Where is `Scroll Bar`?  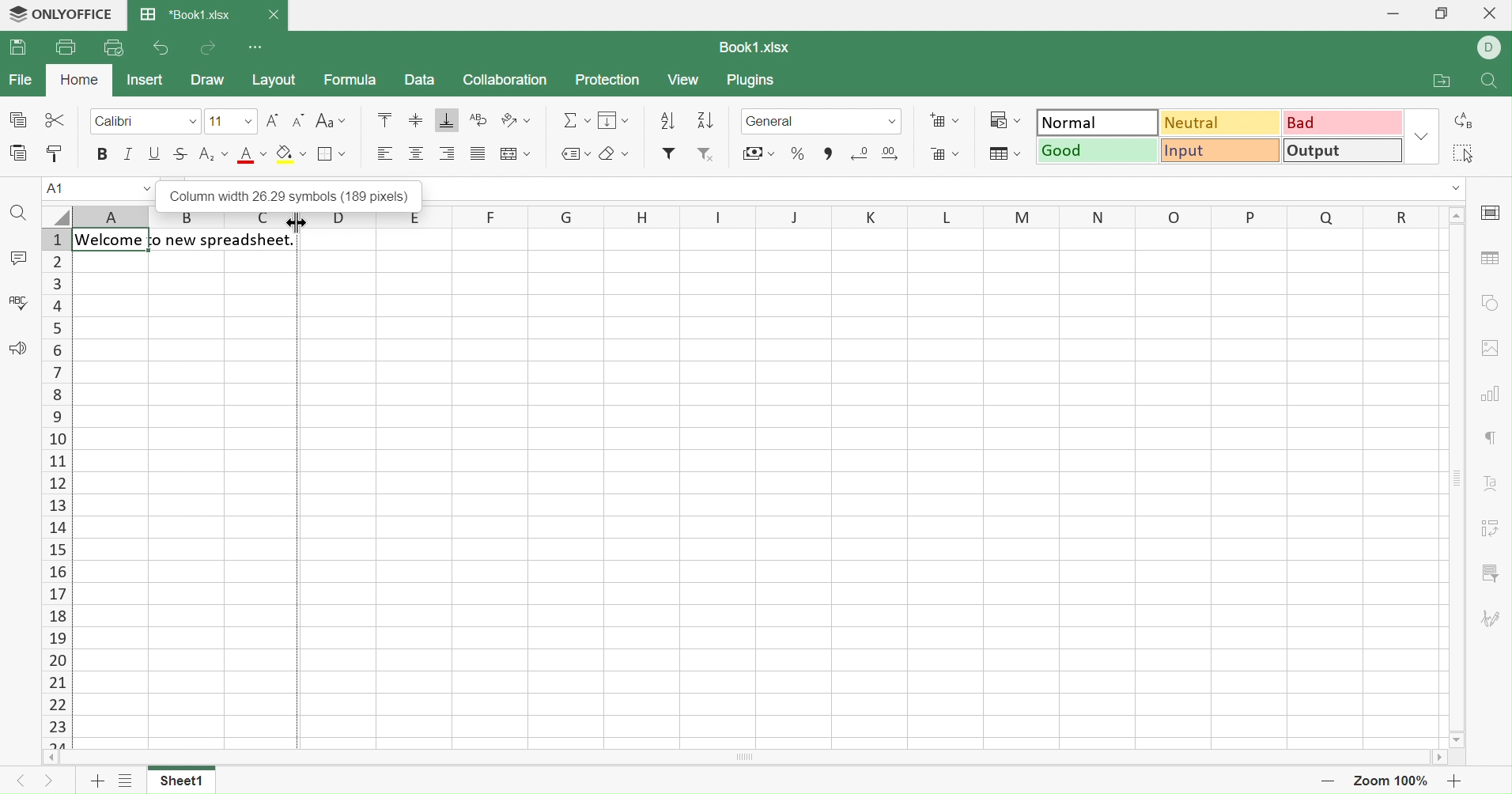
Scroll Bar is located at coordinates (1457, 478).